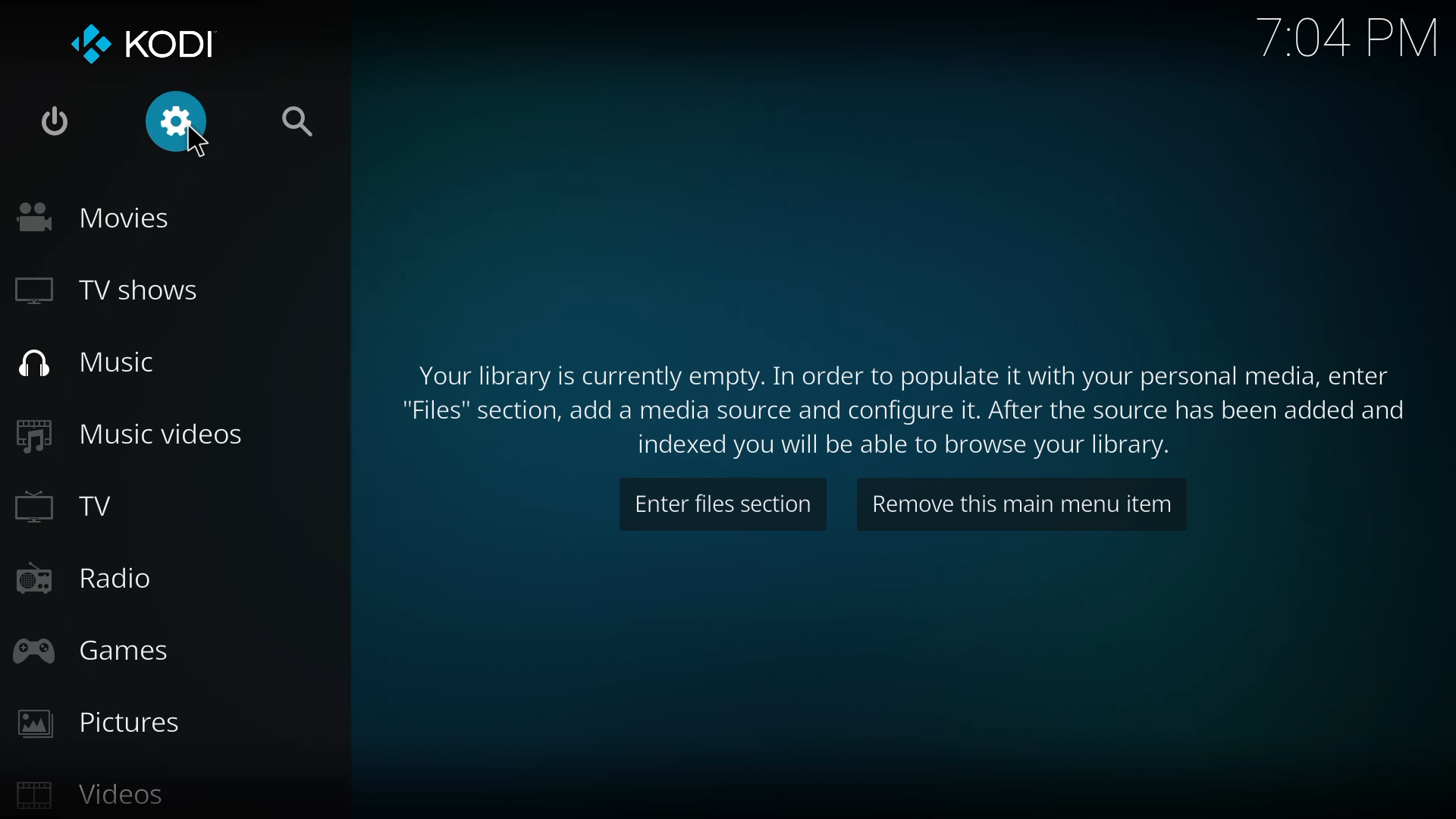 The width and height of the screenshot is (1456, 819). Describe the element at coordinates (52, 127) in the screenshot. I see `power` at that location.